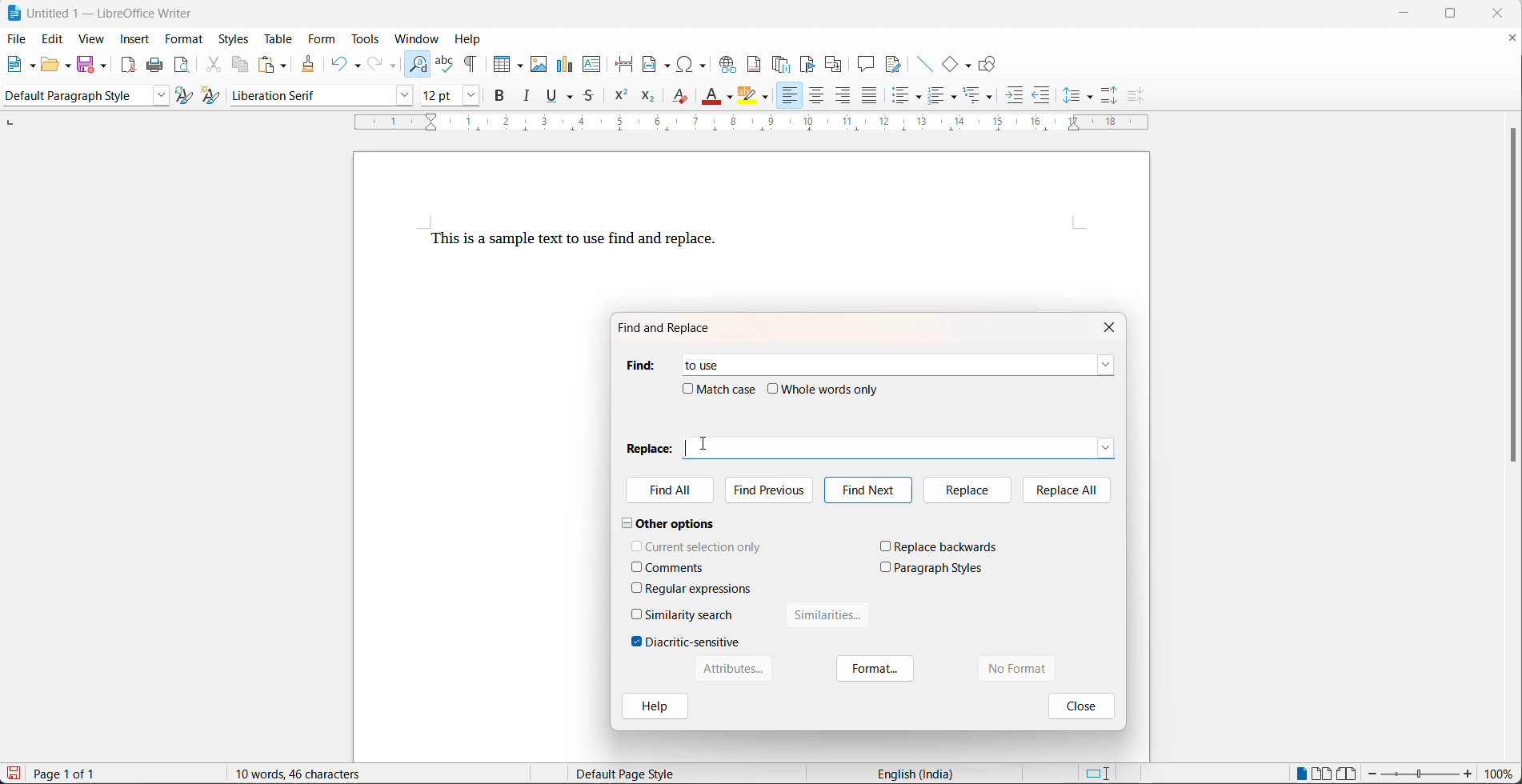 The width and height of the screenshot is (1522, 784). What do you see at coordinates (731, 669) in the screenshot?
I see `Attributes` at bounding box center [731, 669].